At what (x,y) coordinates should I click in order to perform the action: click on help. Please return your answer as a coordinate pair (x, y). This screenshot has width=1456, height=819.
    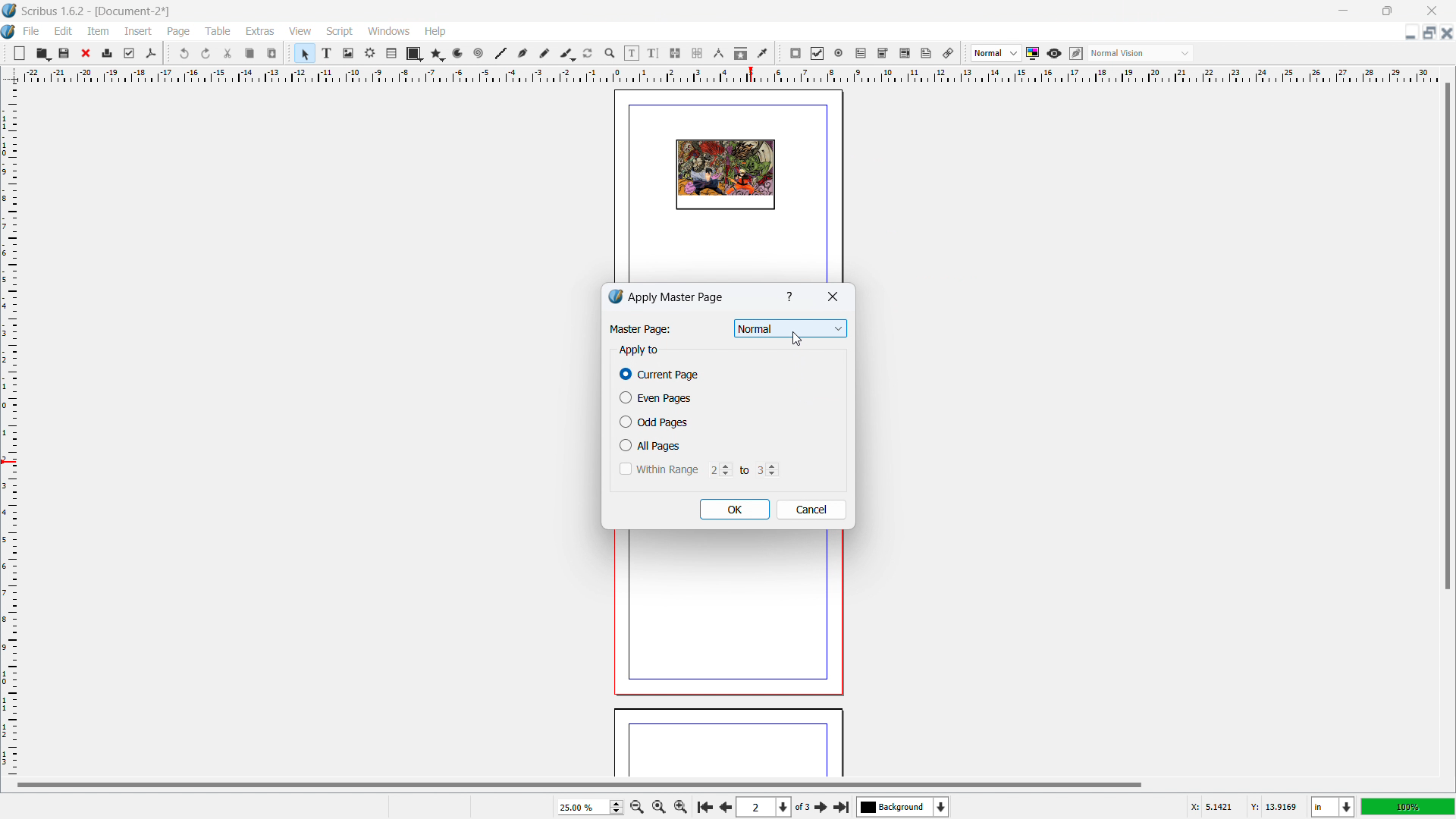
    Looking at the image, I should click on (436, 32).